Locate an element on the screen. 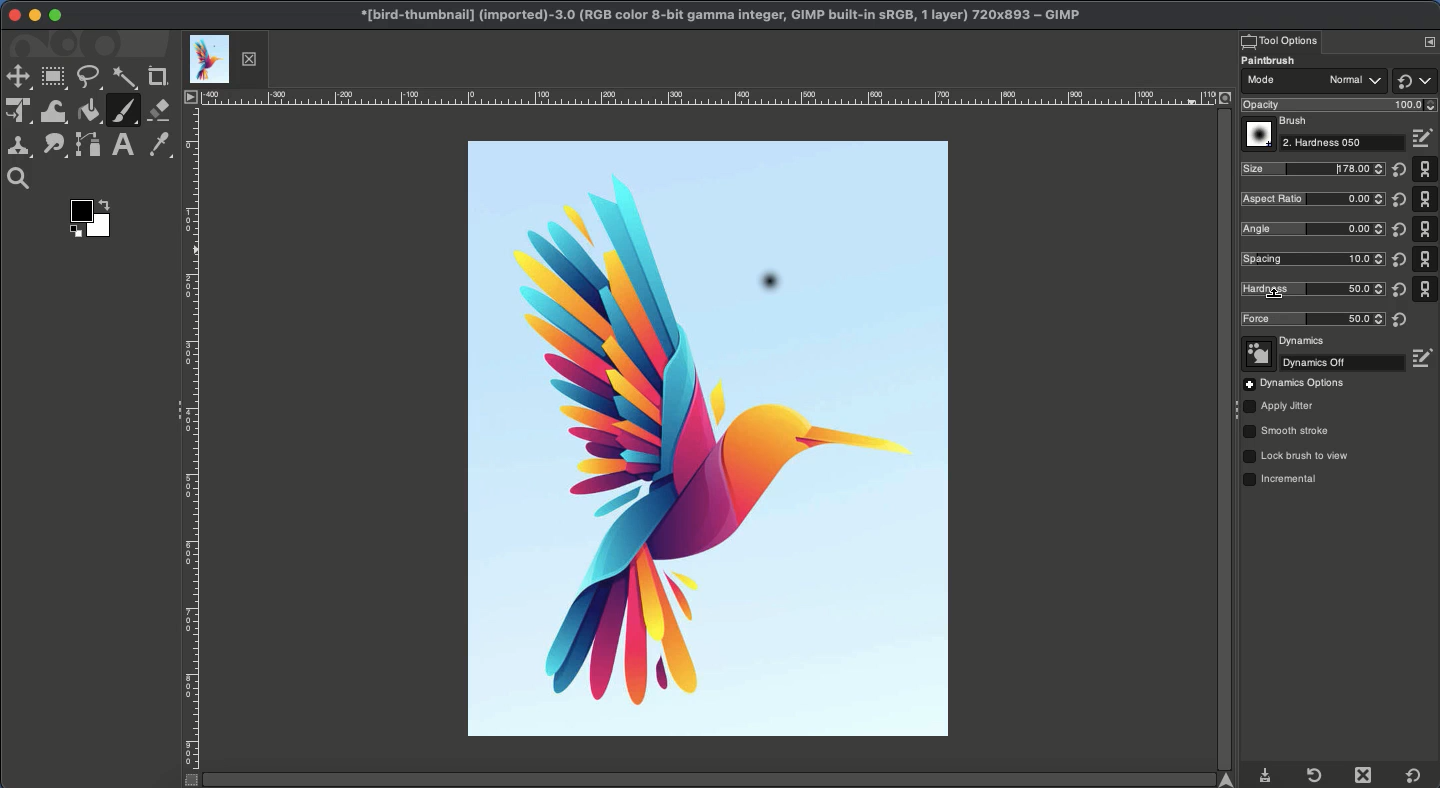 Image resolution: width=1440 pixels, height=788 pixels. image is located at coordinates (875, 286).